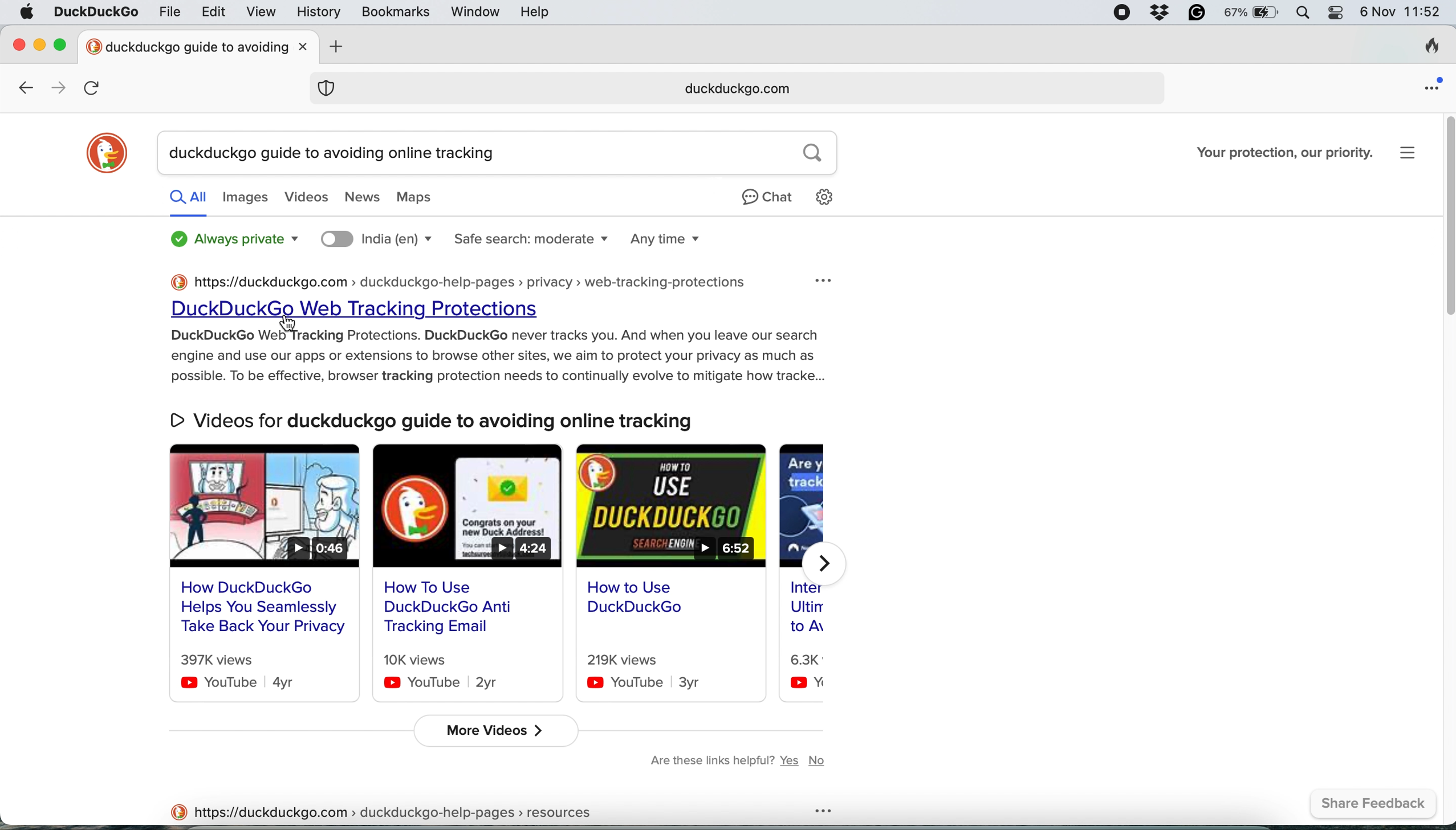  Describe the element at coordinates (799, 682) in the screenshot. I see `youtube` at that location.